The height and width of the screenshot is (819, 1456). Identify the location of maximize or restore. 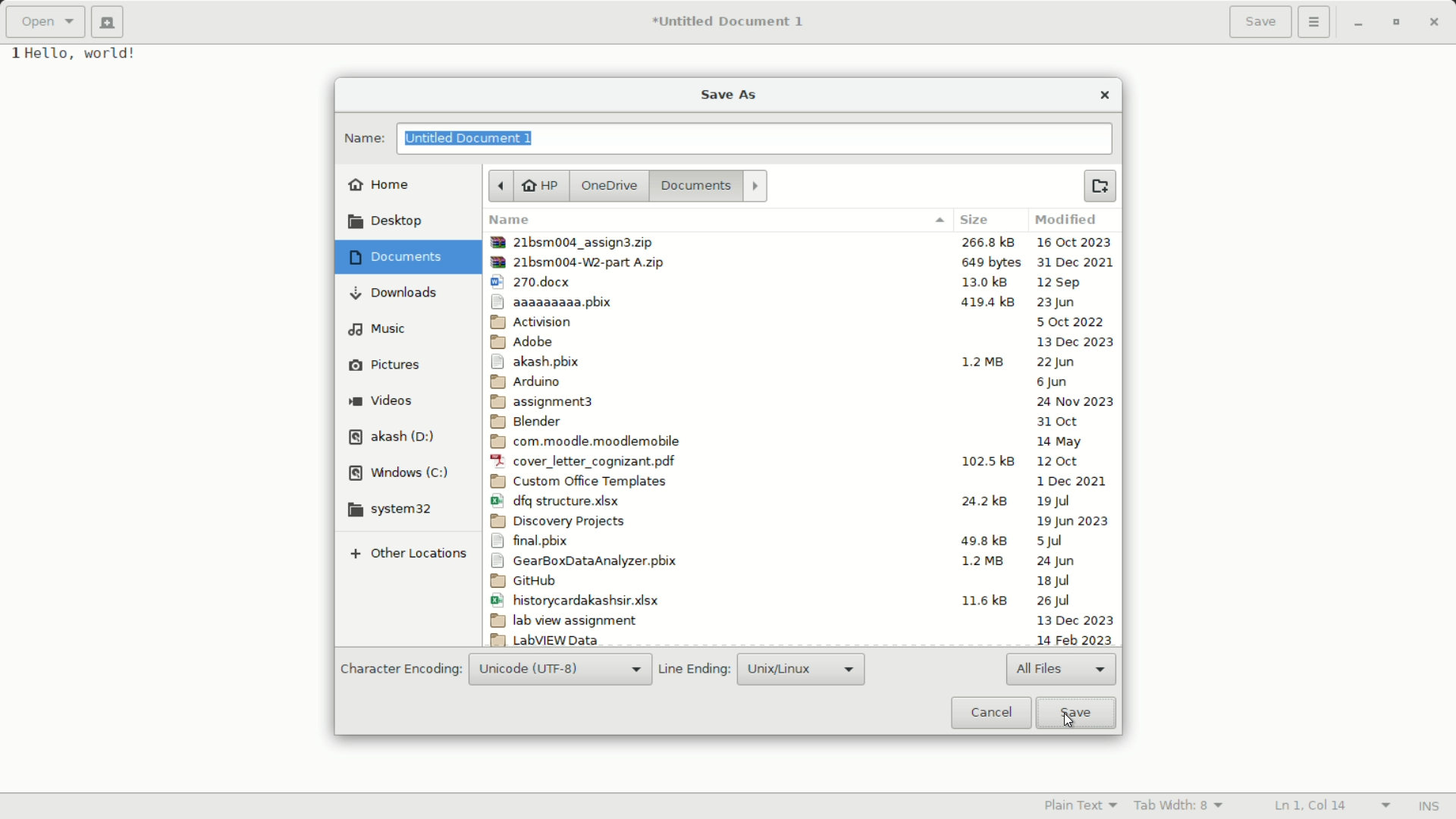
(1400, 23).